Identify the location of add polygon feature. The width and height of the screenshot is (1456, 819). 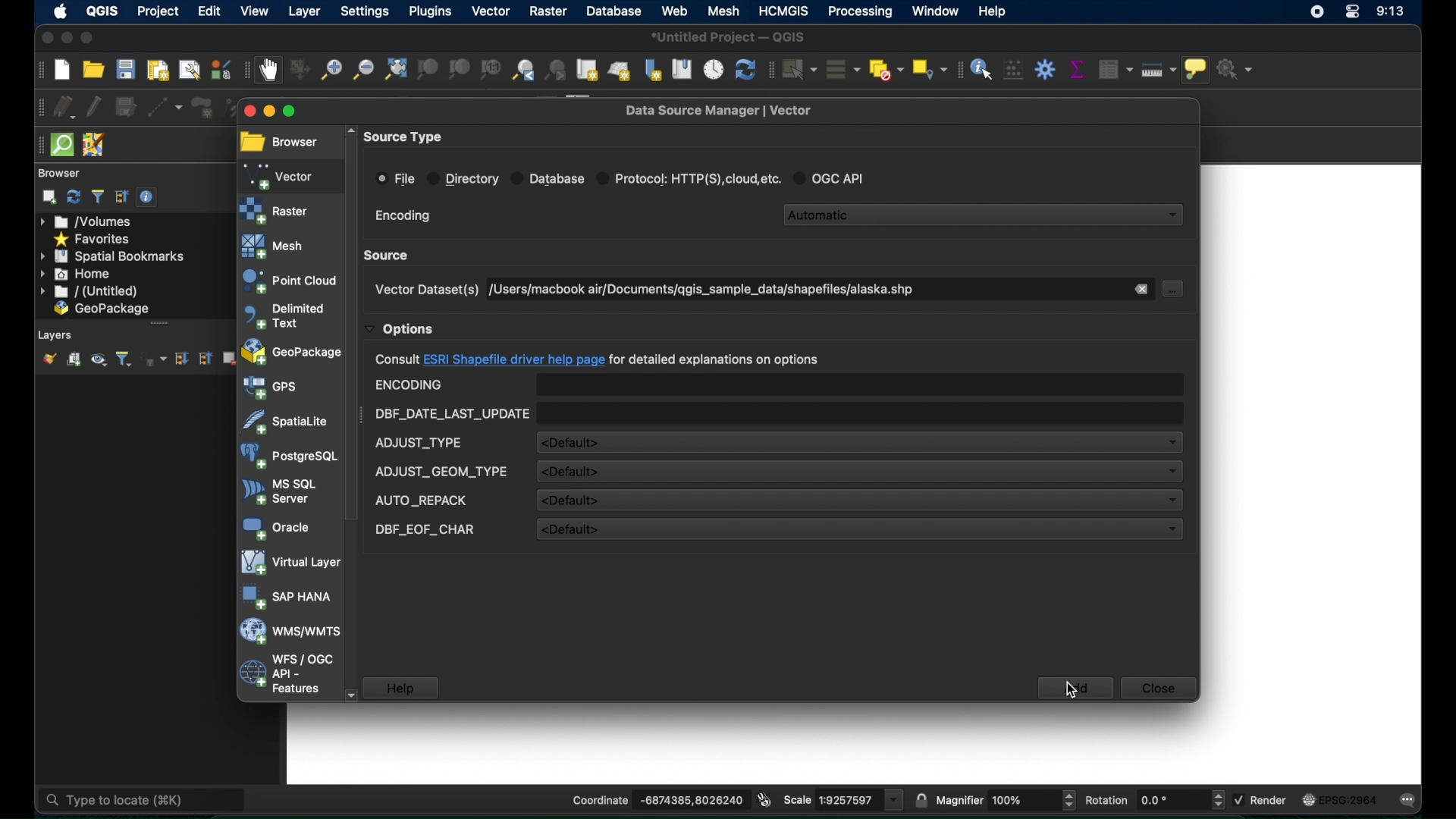
(199, 105).